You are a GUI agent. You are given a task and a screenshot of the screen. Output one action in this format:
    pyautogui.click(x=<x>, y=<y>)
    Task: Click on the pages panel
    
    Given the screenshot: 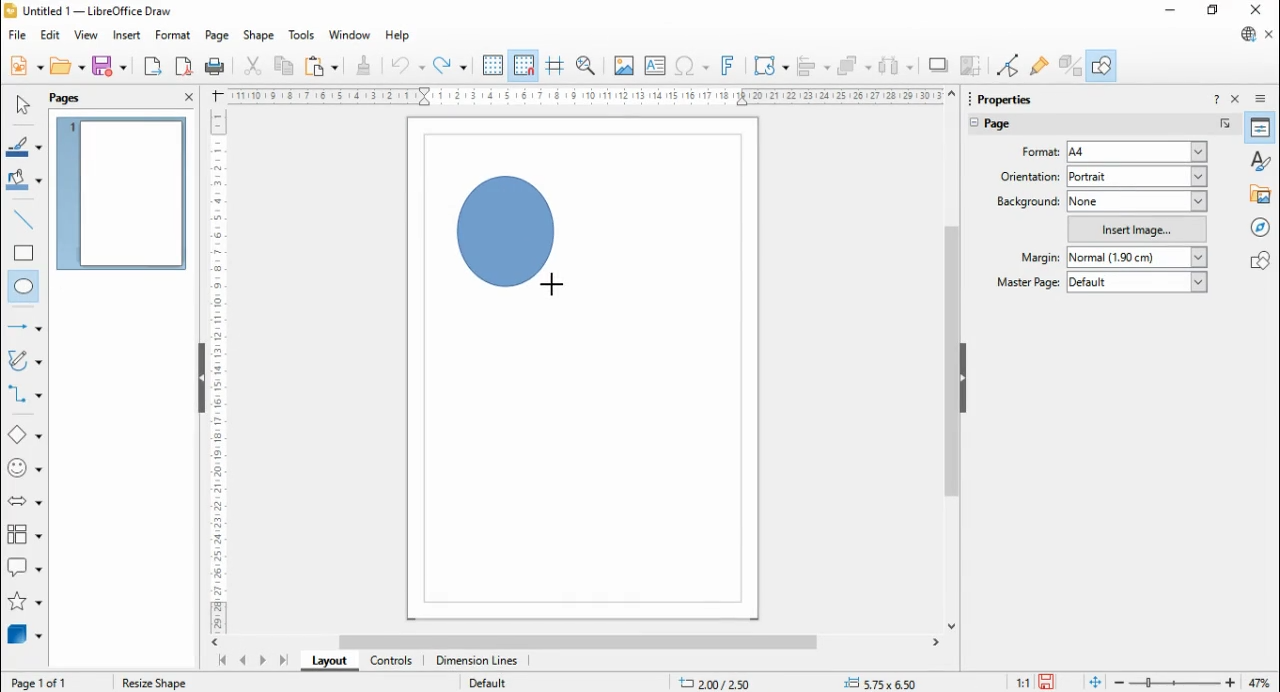 What is the action you would take?
    pyautogui.click(x=79, y=98)
    